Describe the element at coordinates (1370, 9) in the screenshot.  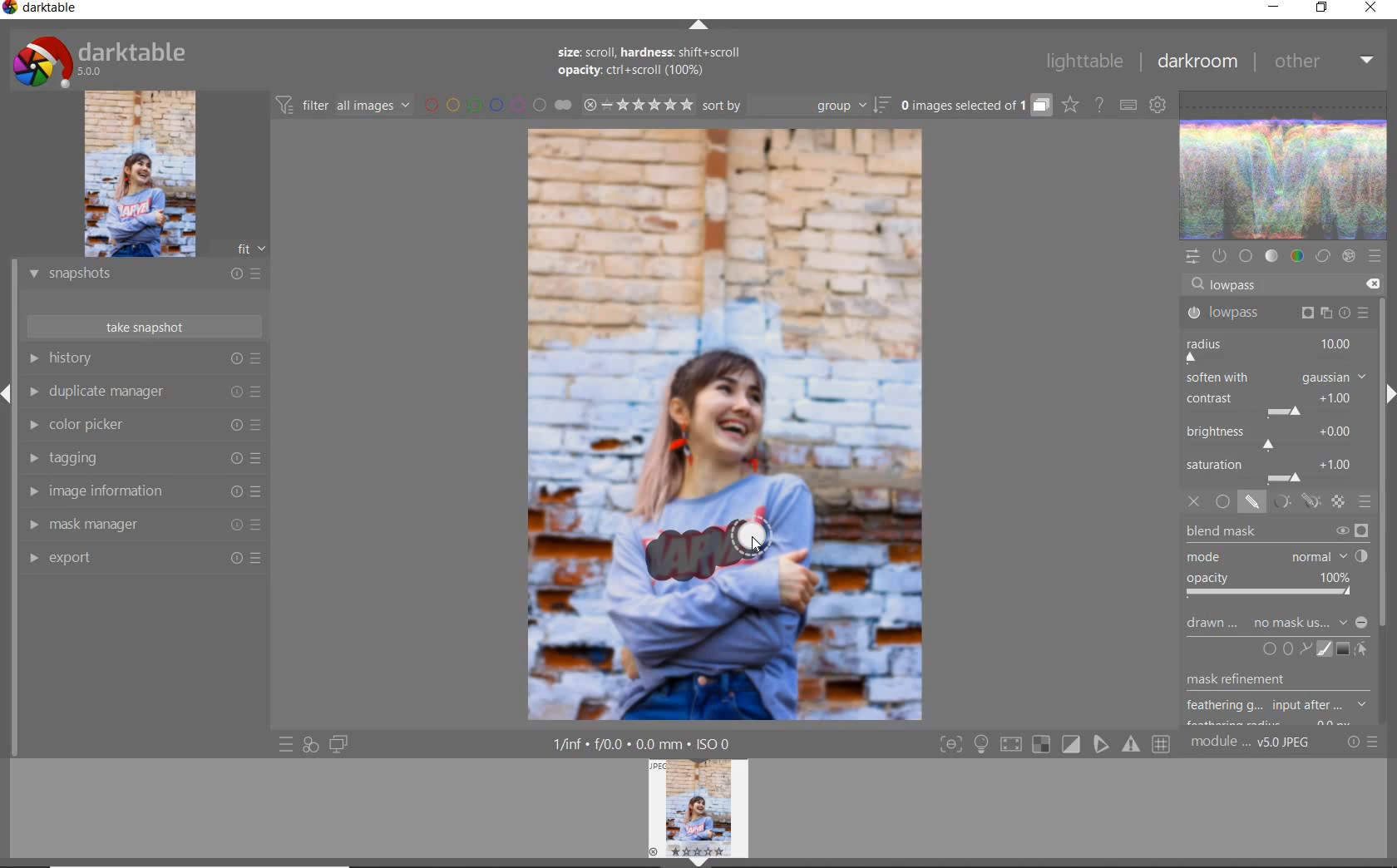
I see `close` at that location.